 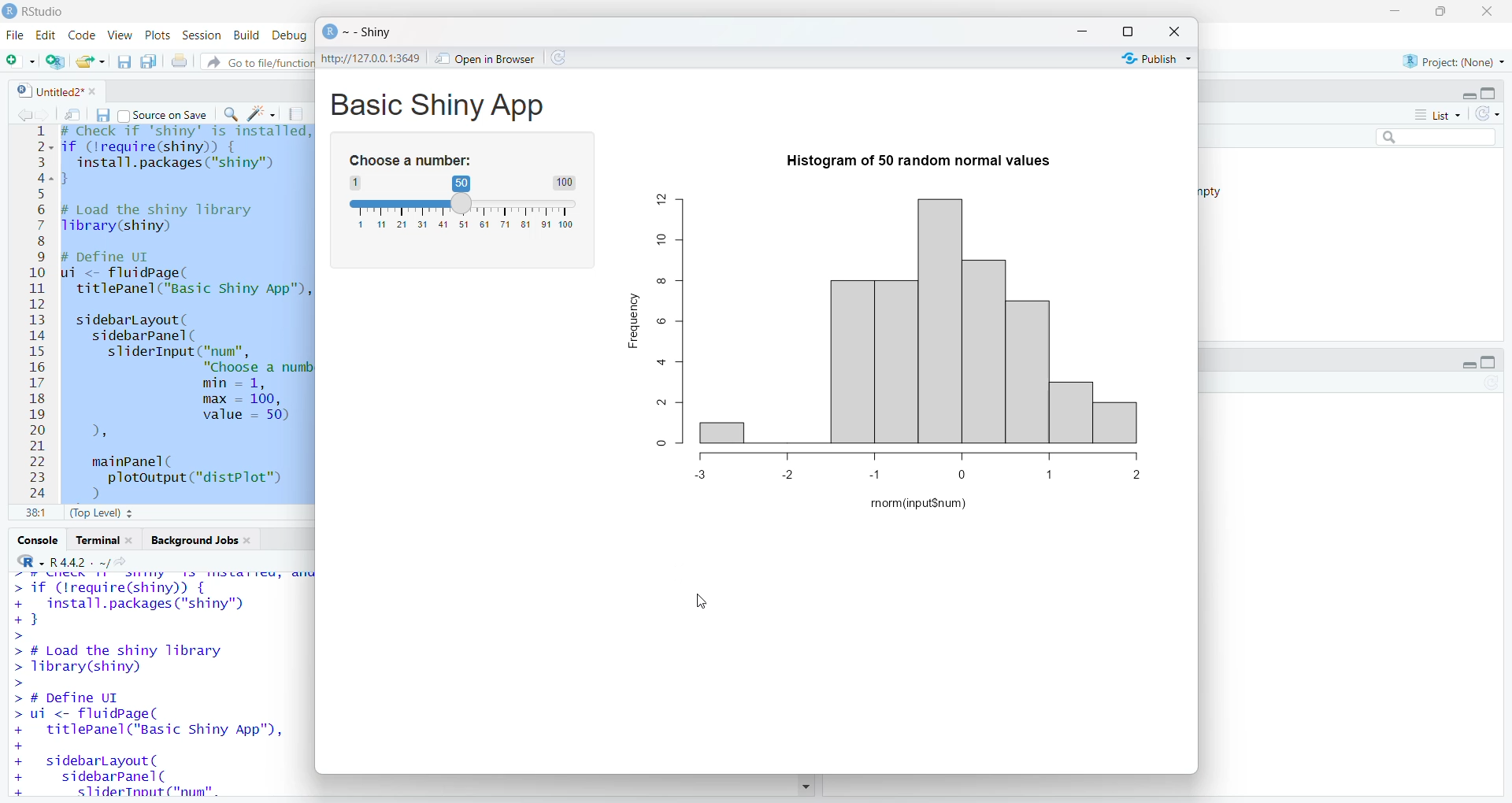 What do you see at coordinates (124, 62) in the screenshot?
I see `save` at bounding box center [124, 62].